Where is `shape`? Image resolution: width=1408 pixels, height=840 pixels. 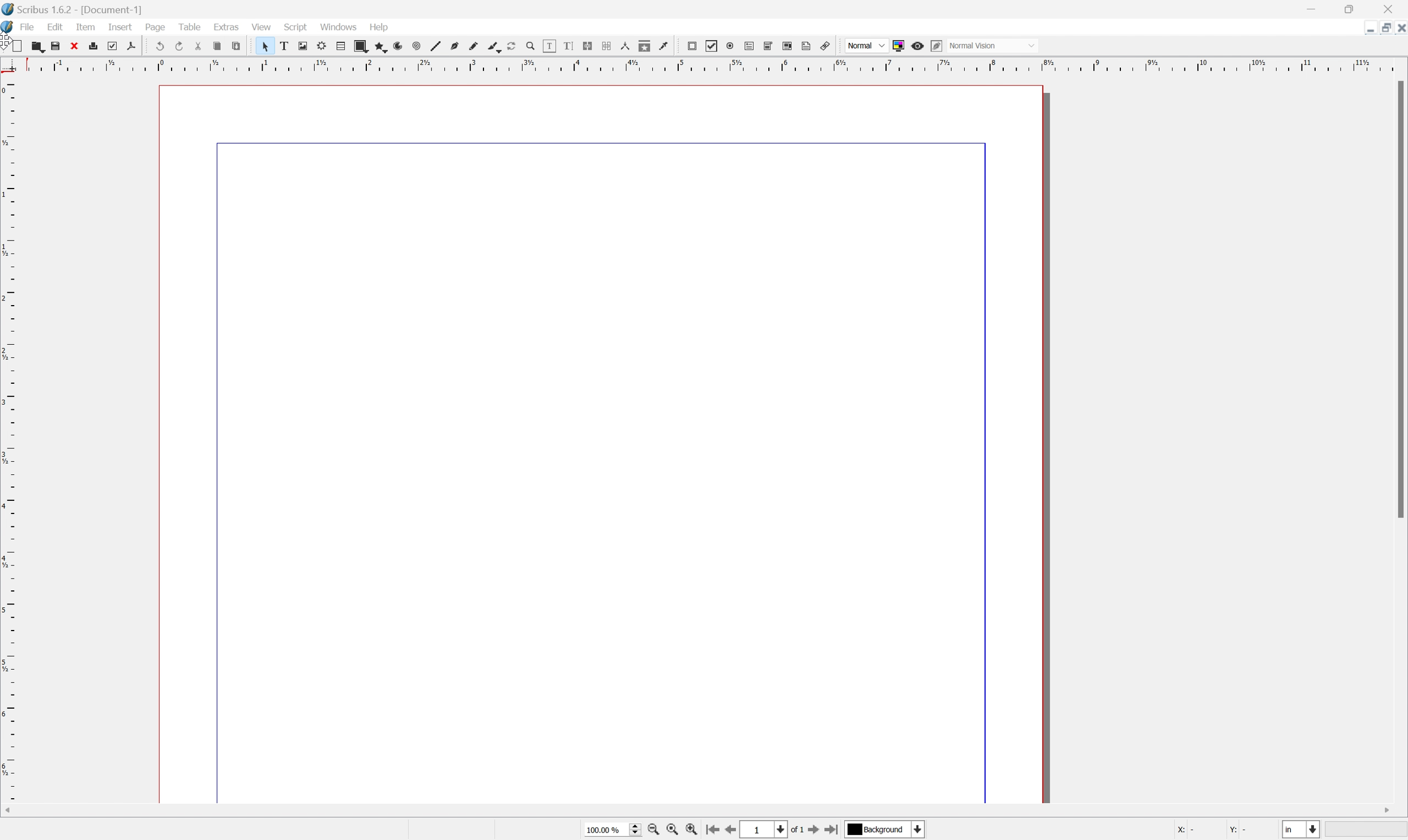 shape is located at coordinates (361, 46).